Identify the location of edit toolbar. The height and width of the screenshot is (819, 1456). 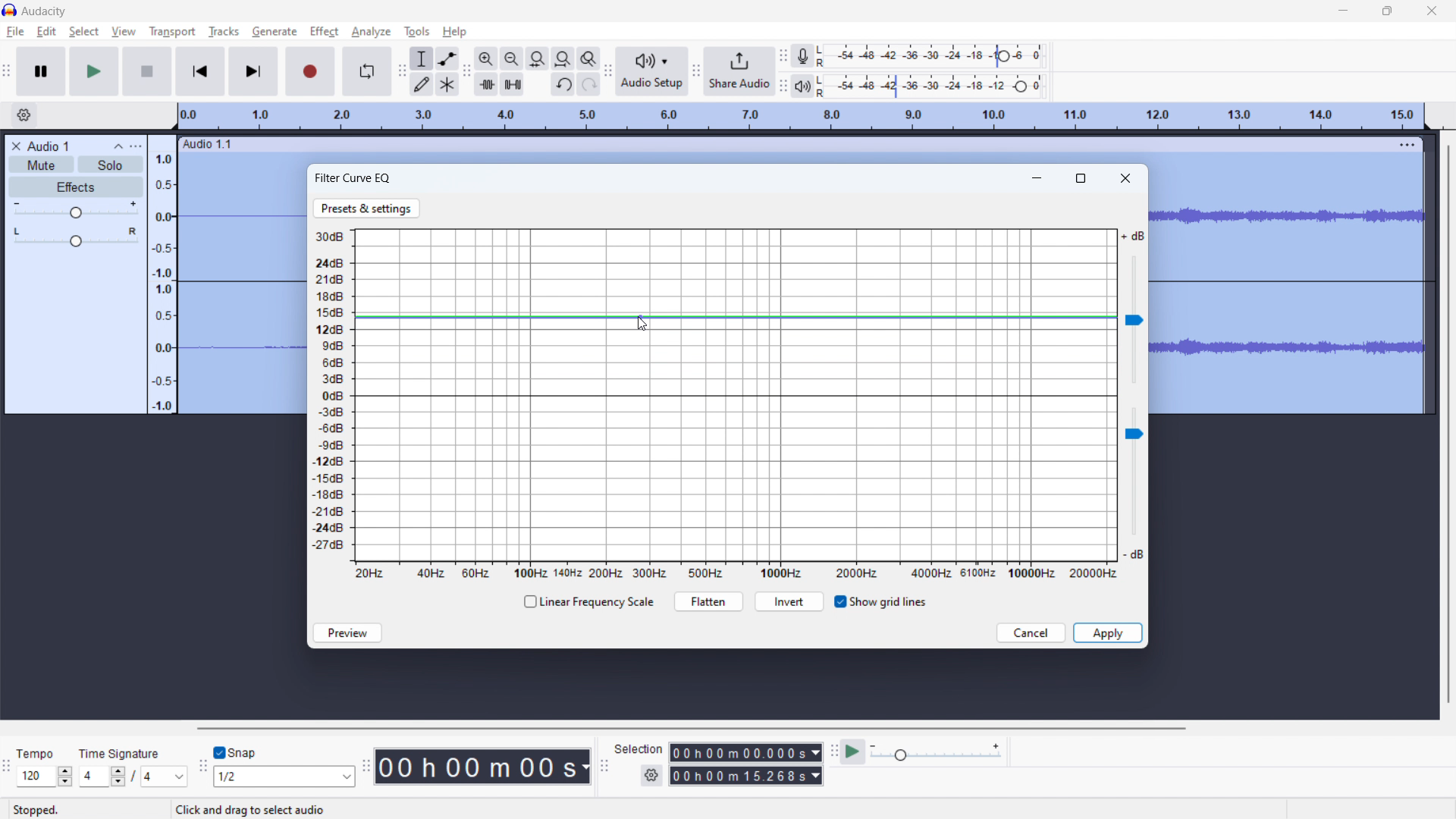
(466, 71).